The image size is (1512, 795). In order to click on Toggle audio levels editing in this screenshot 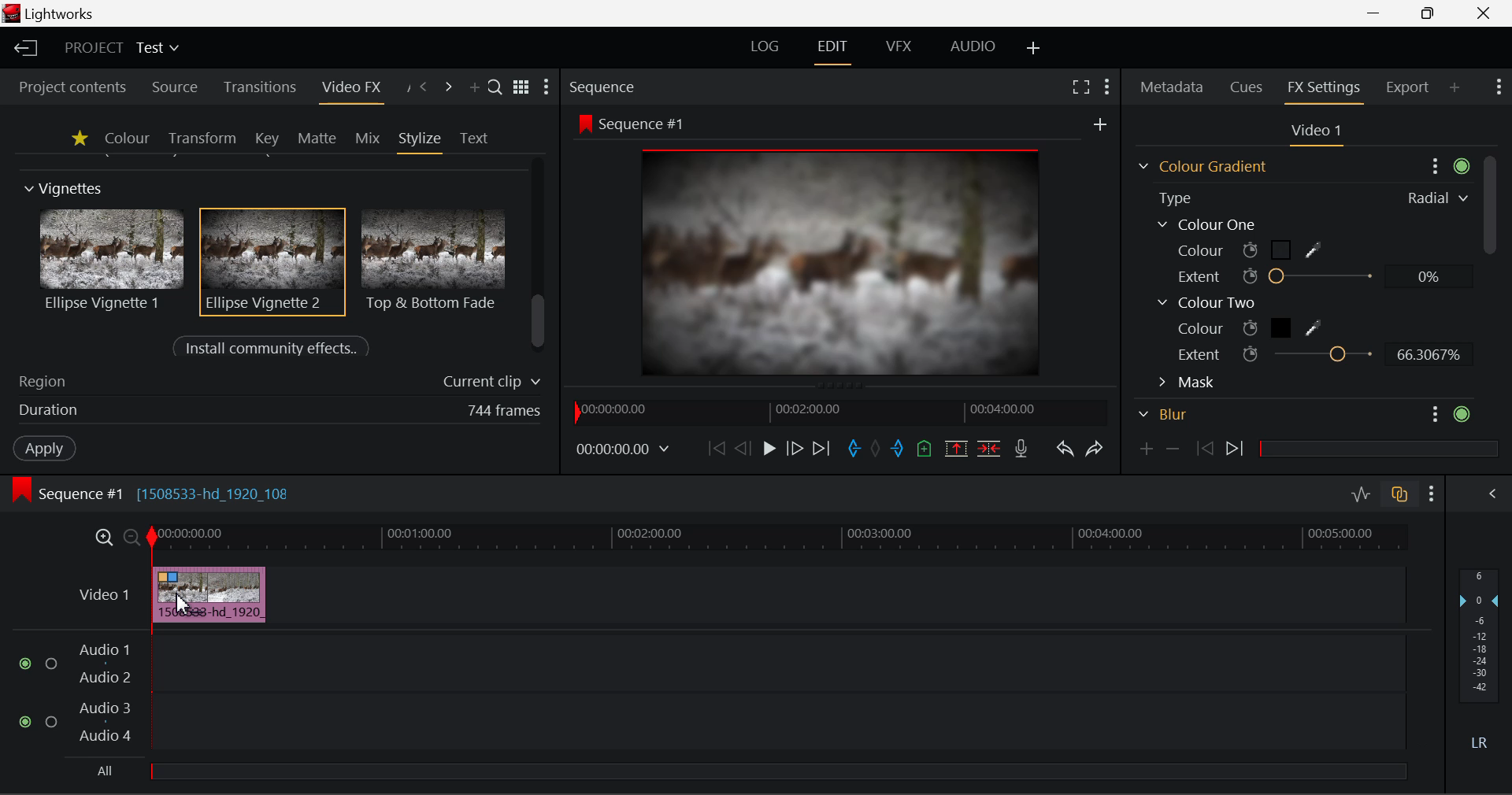, I will do `click(1360, 493)`.